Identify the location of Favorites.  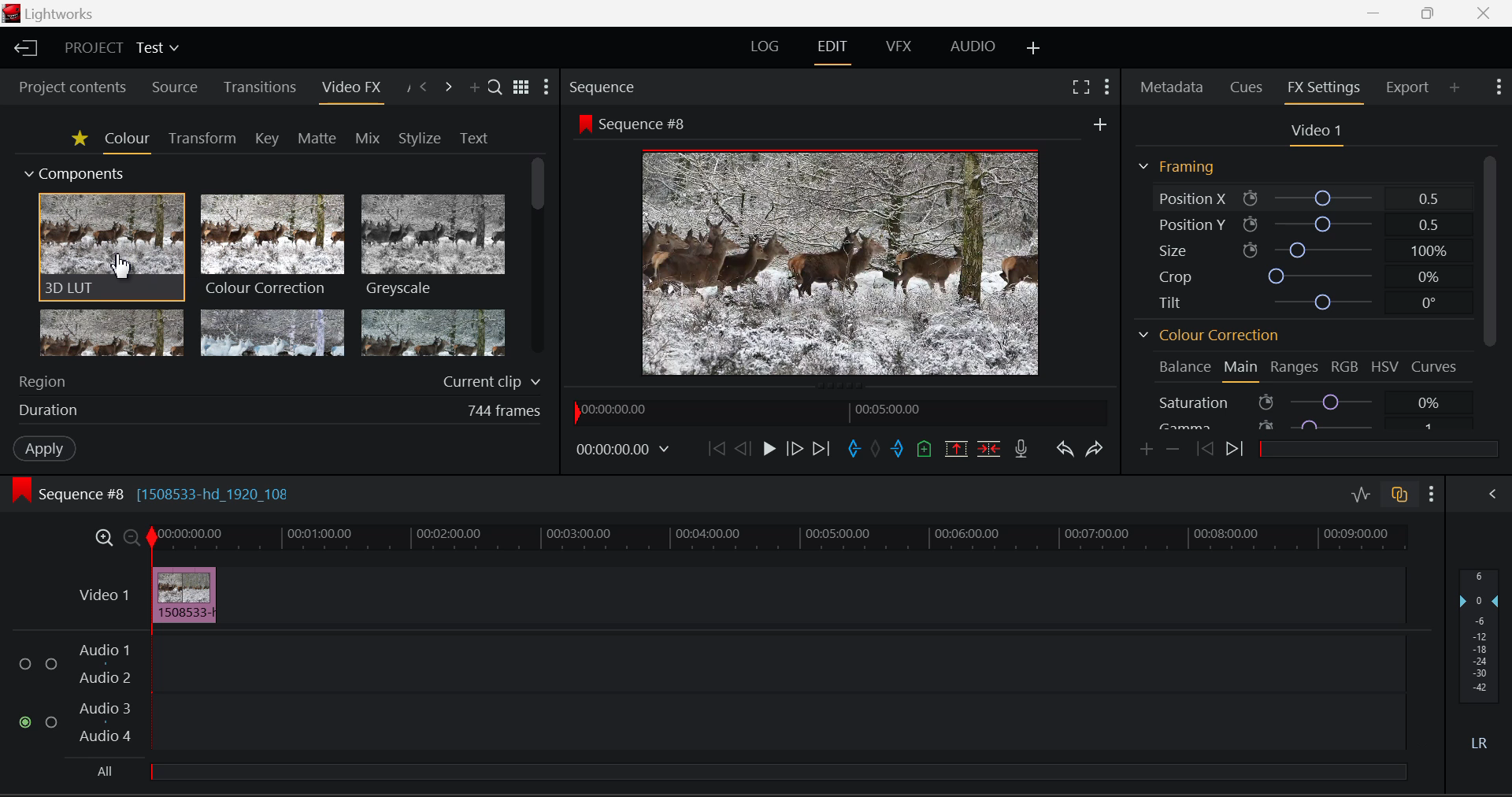
(80, 140).